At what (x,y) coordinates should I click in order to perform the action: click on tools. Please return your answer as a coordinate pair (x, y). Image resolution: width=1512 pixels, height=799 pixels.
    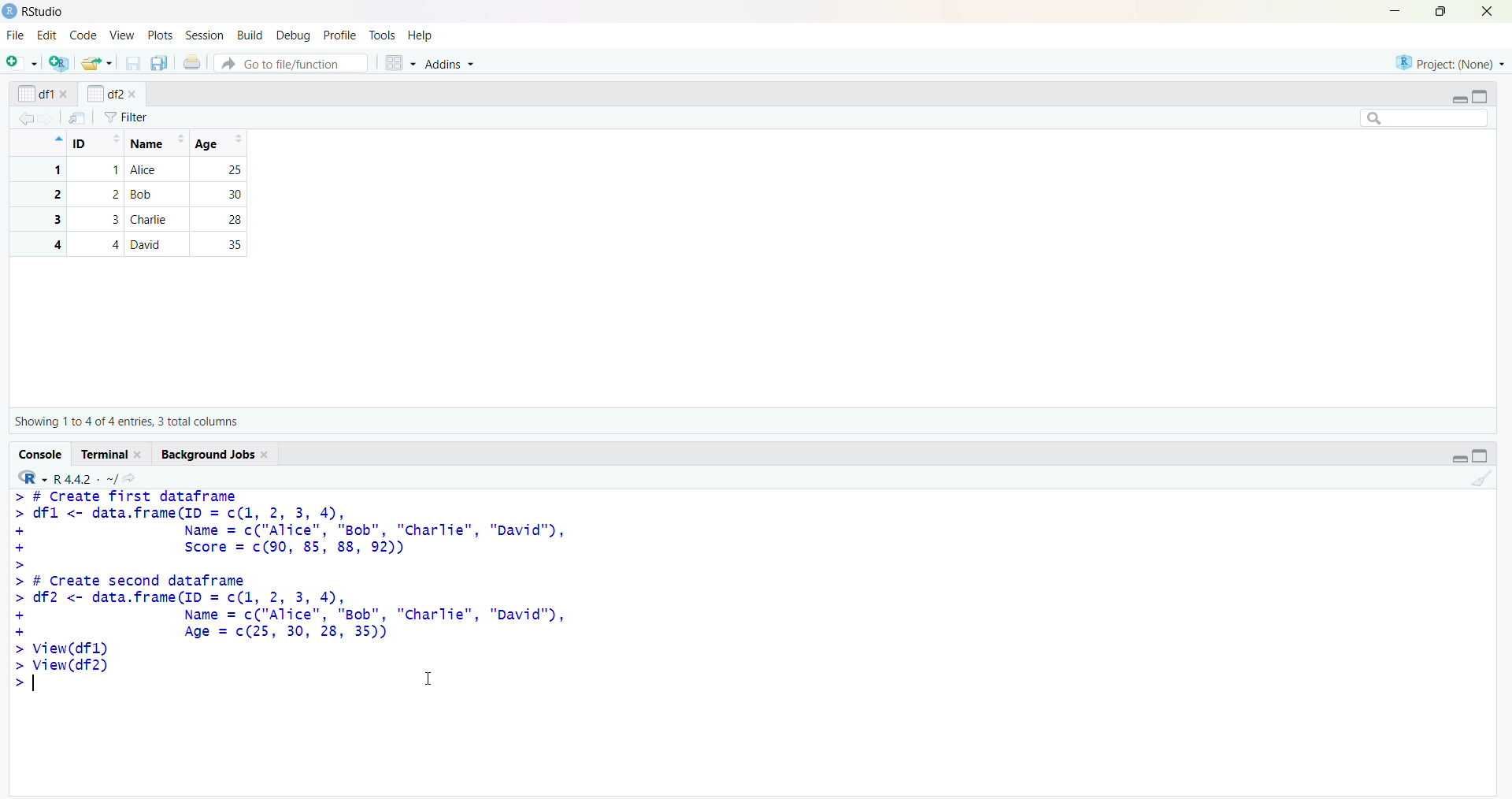
    Looking at the image, I should click on (383, 35).